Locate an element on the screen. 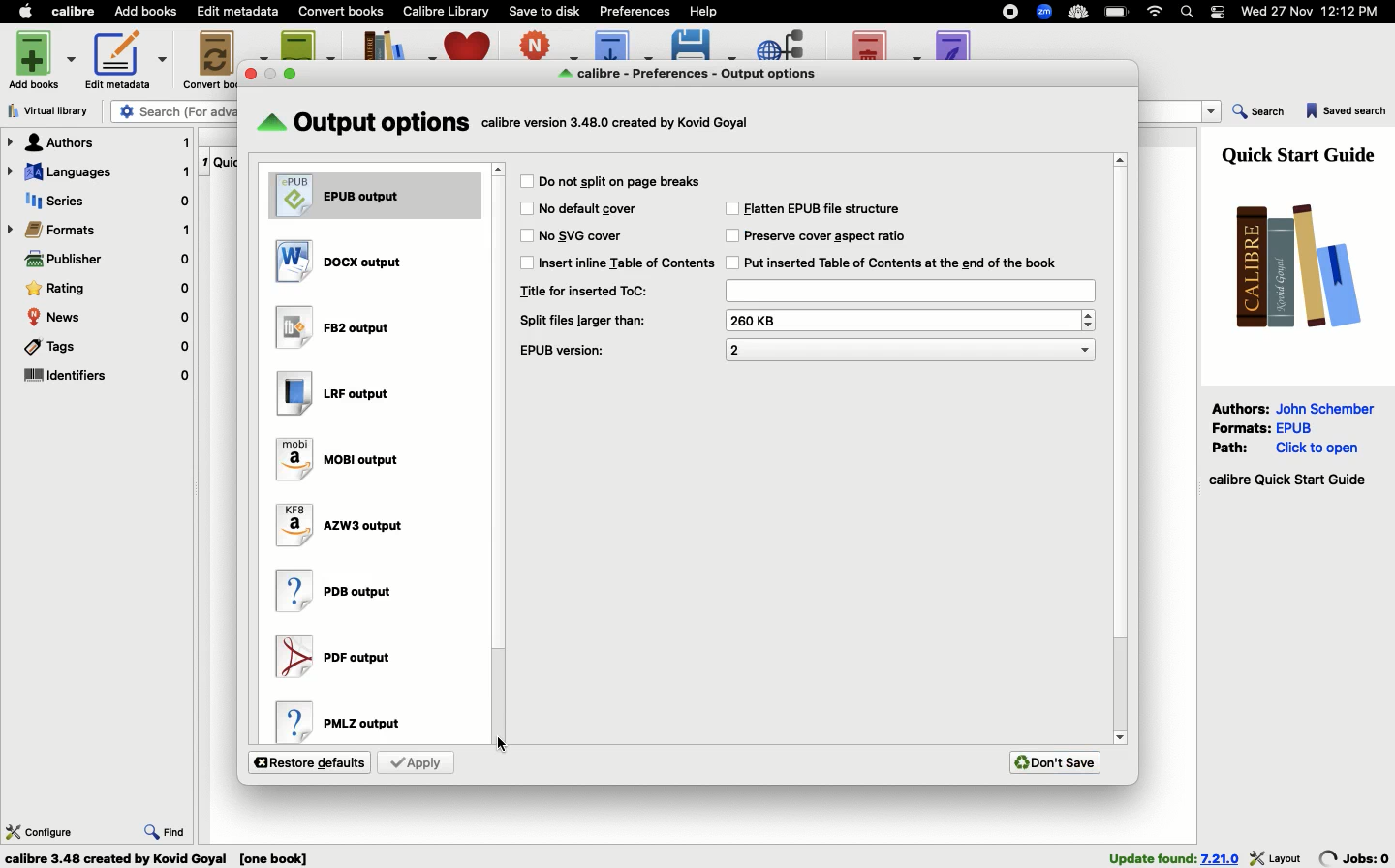 The width and height of the screenshot is (1395, 868). Checkbox is located at coordinates (526, 208).